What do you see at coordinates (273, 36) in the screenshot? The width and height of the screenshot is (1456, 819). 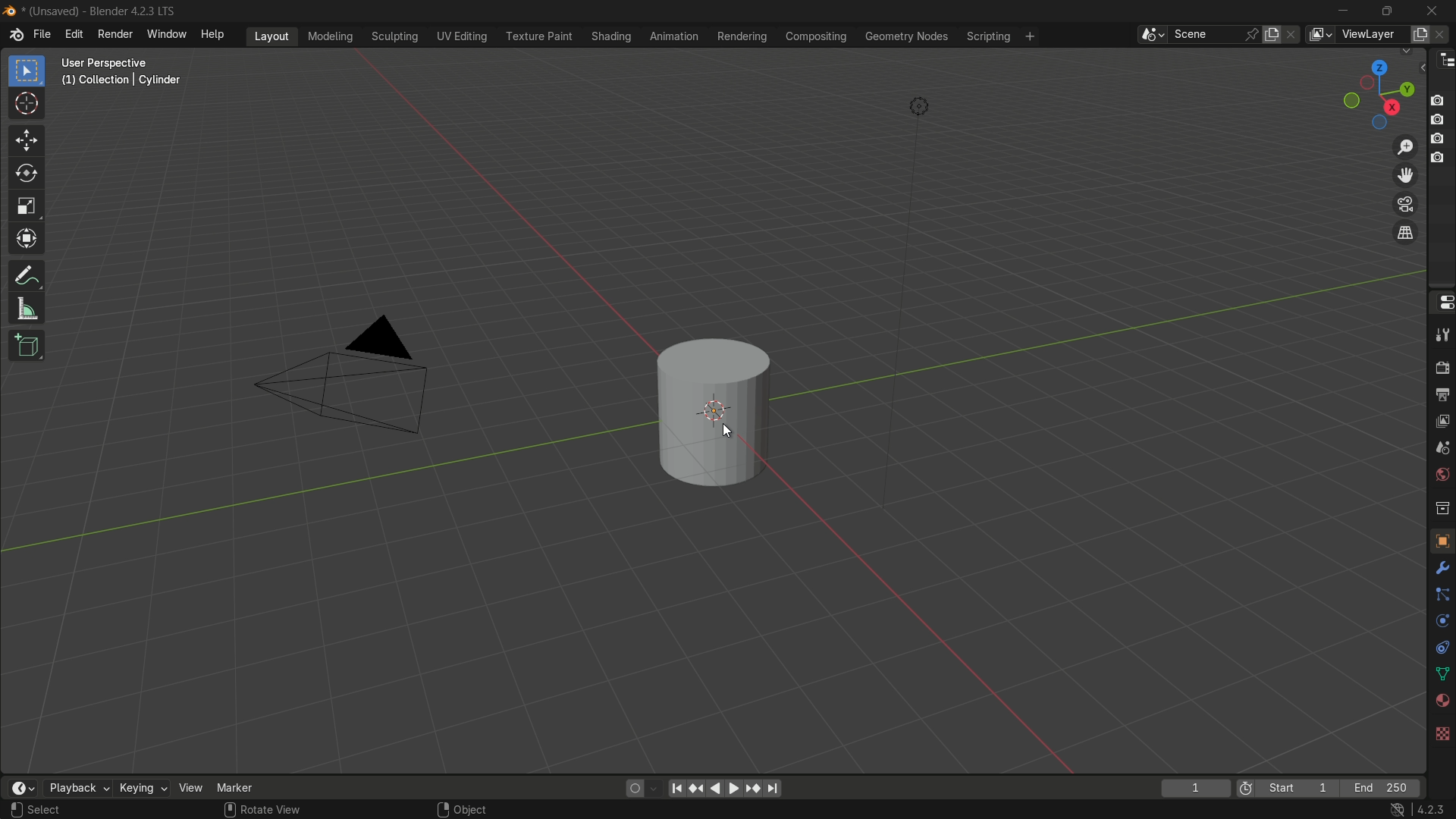 I see `layout menu` at bounding box center [273, 36].